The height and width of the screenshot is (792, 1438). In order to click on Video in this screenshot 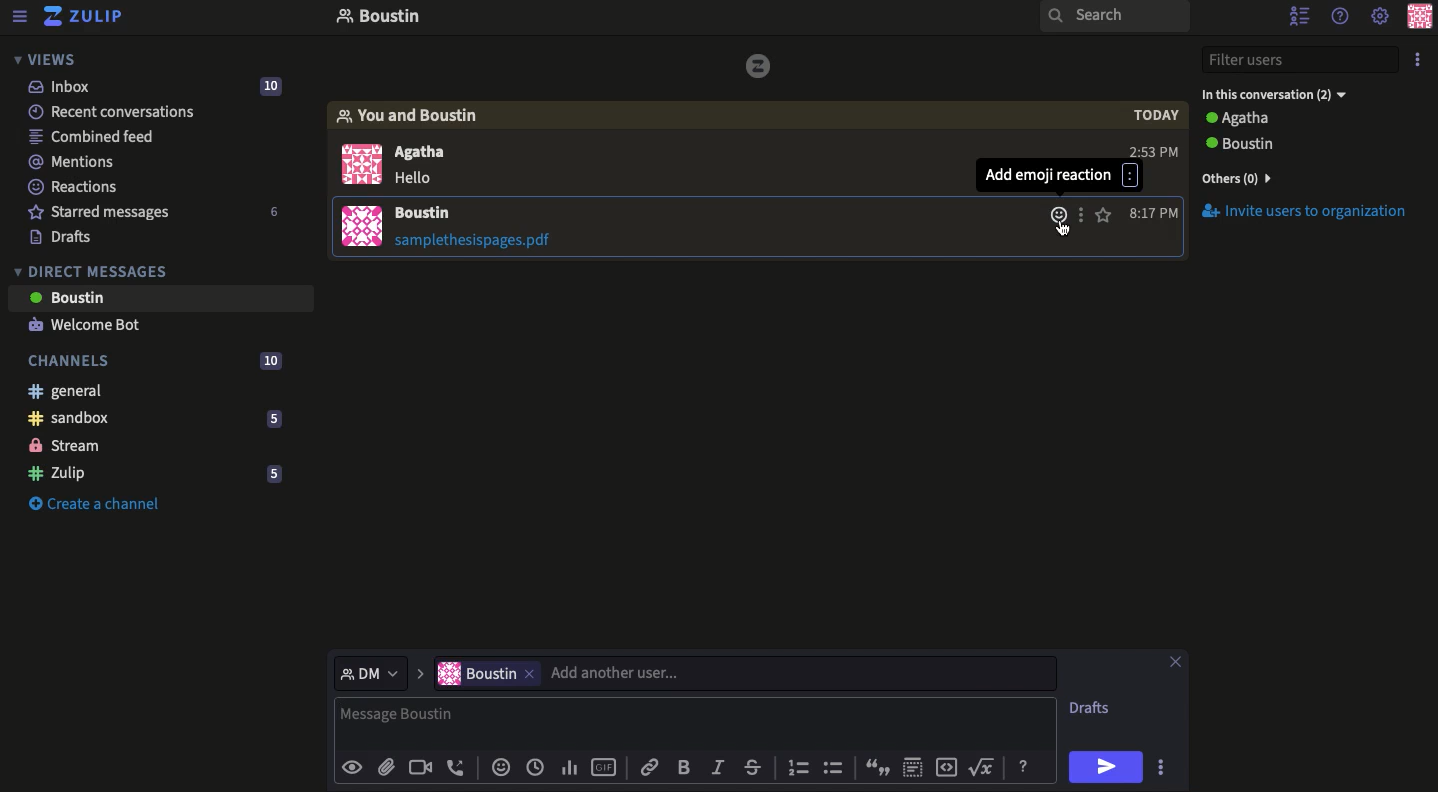, I will do `click(418, 766)`.